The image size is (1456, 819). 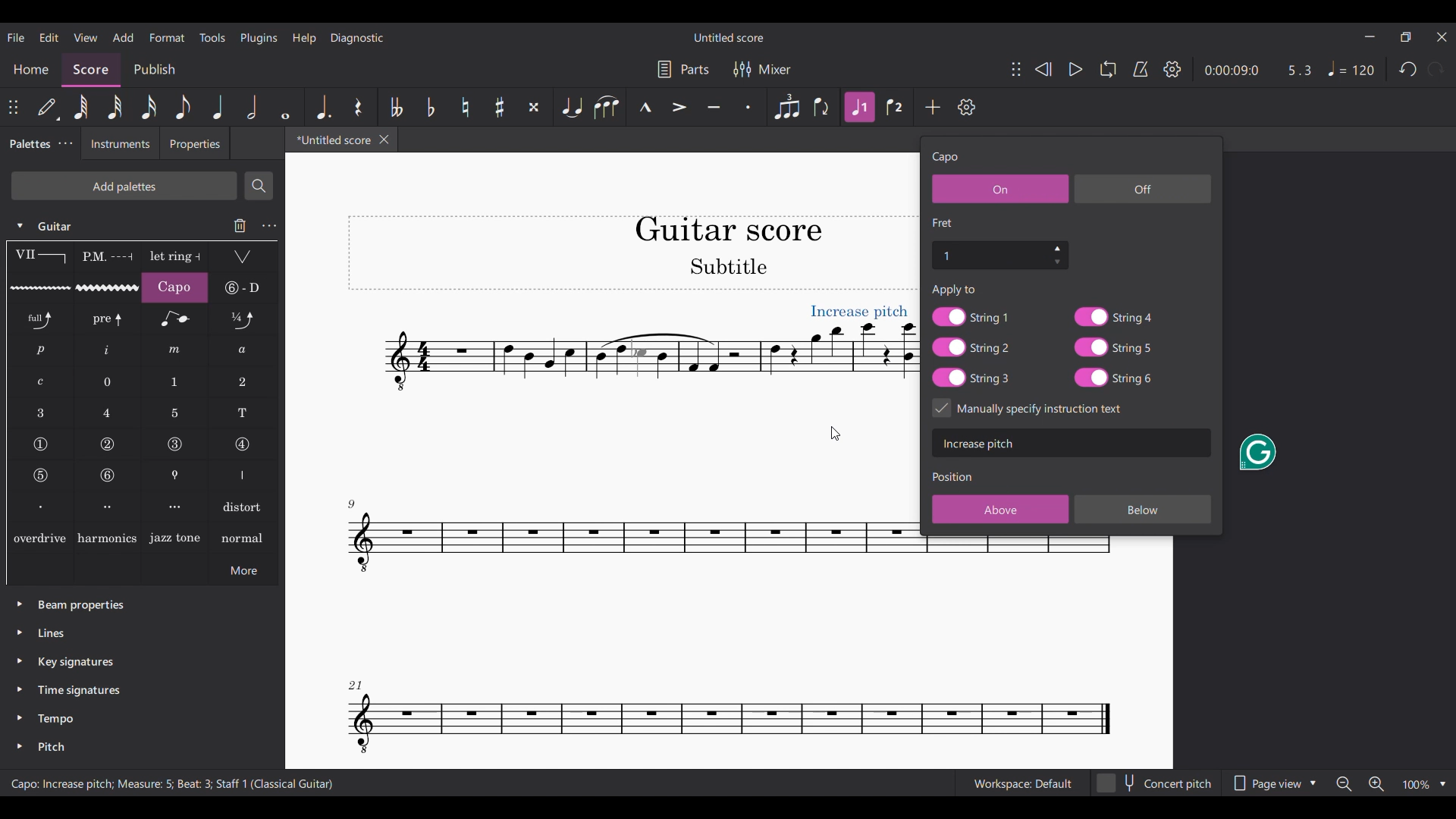 I want to click on Jazz tone, so click(x=175, y=537).